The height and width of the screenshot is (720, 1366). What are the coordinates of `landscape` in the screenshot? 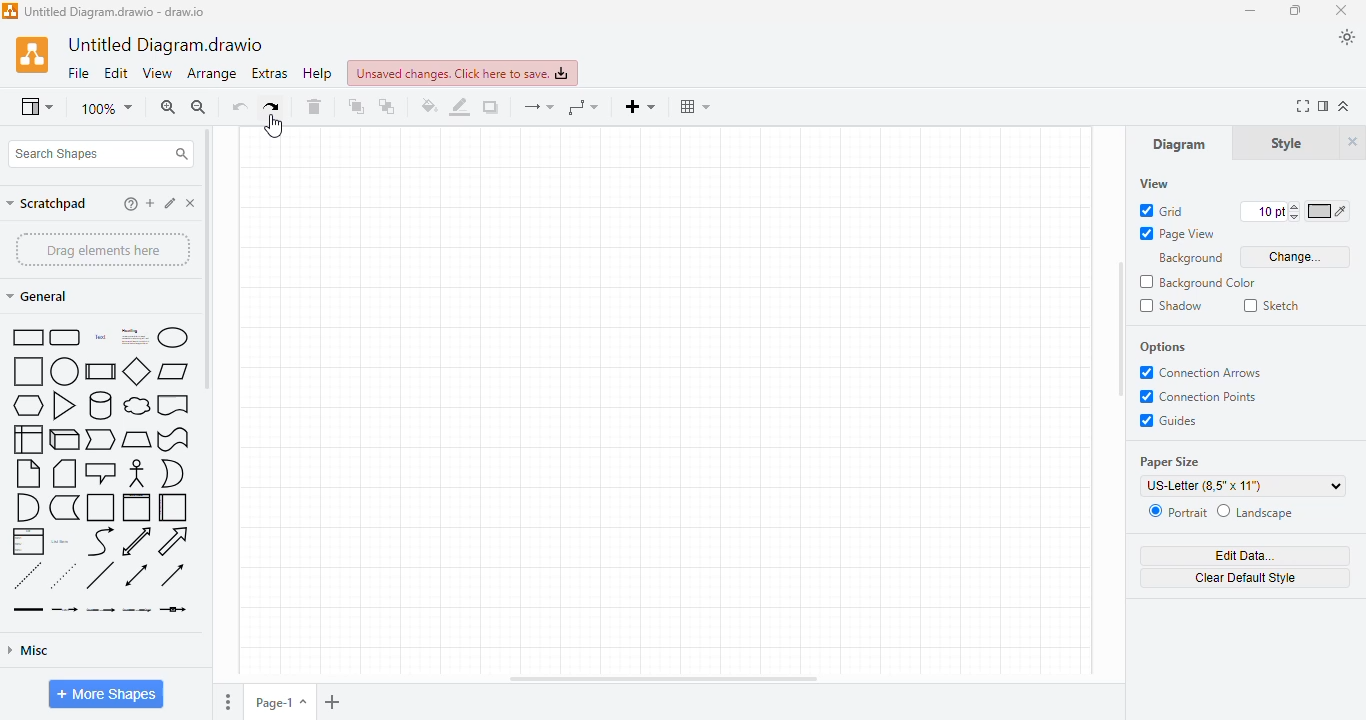 It's located at (1255, 512).